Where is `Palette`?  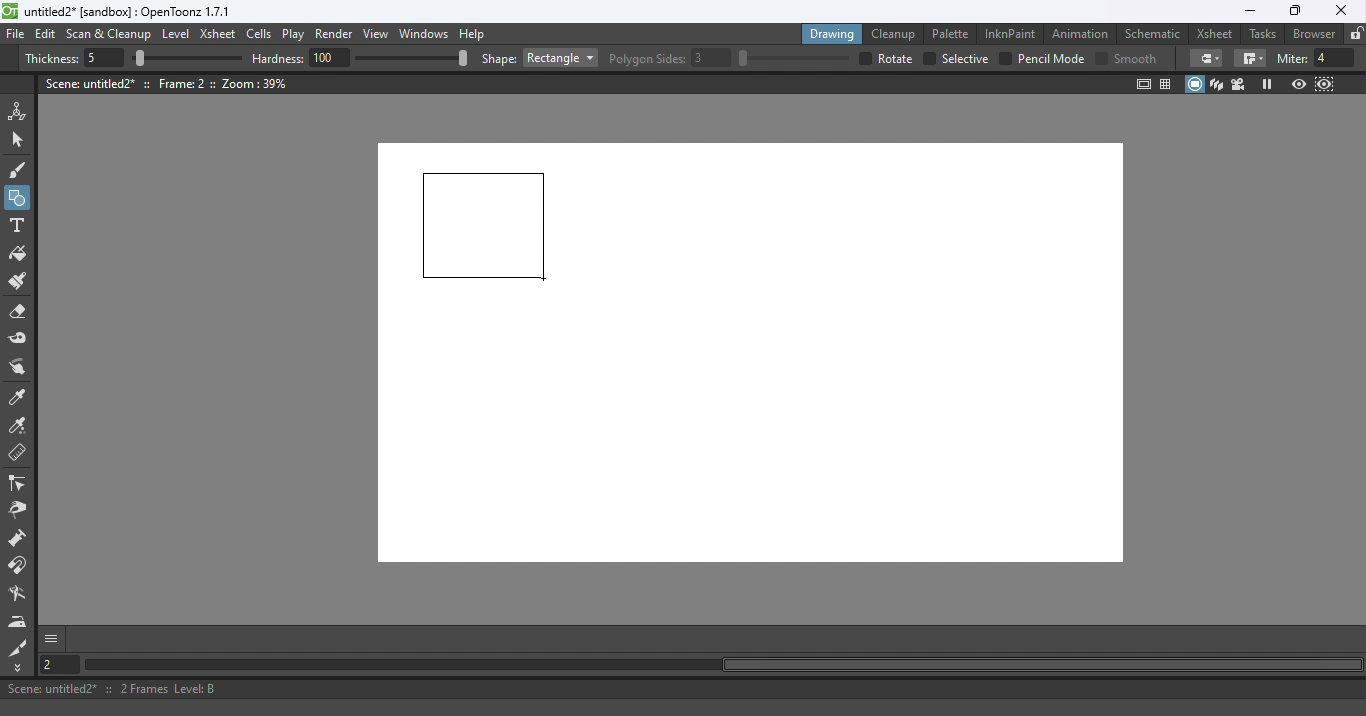
Palette is located at coordinates (953, 33).